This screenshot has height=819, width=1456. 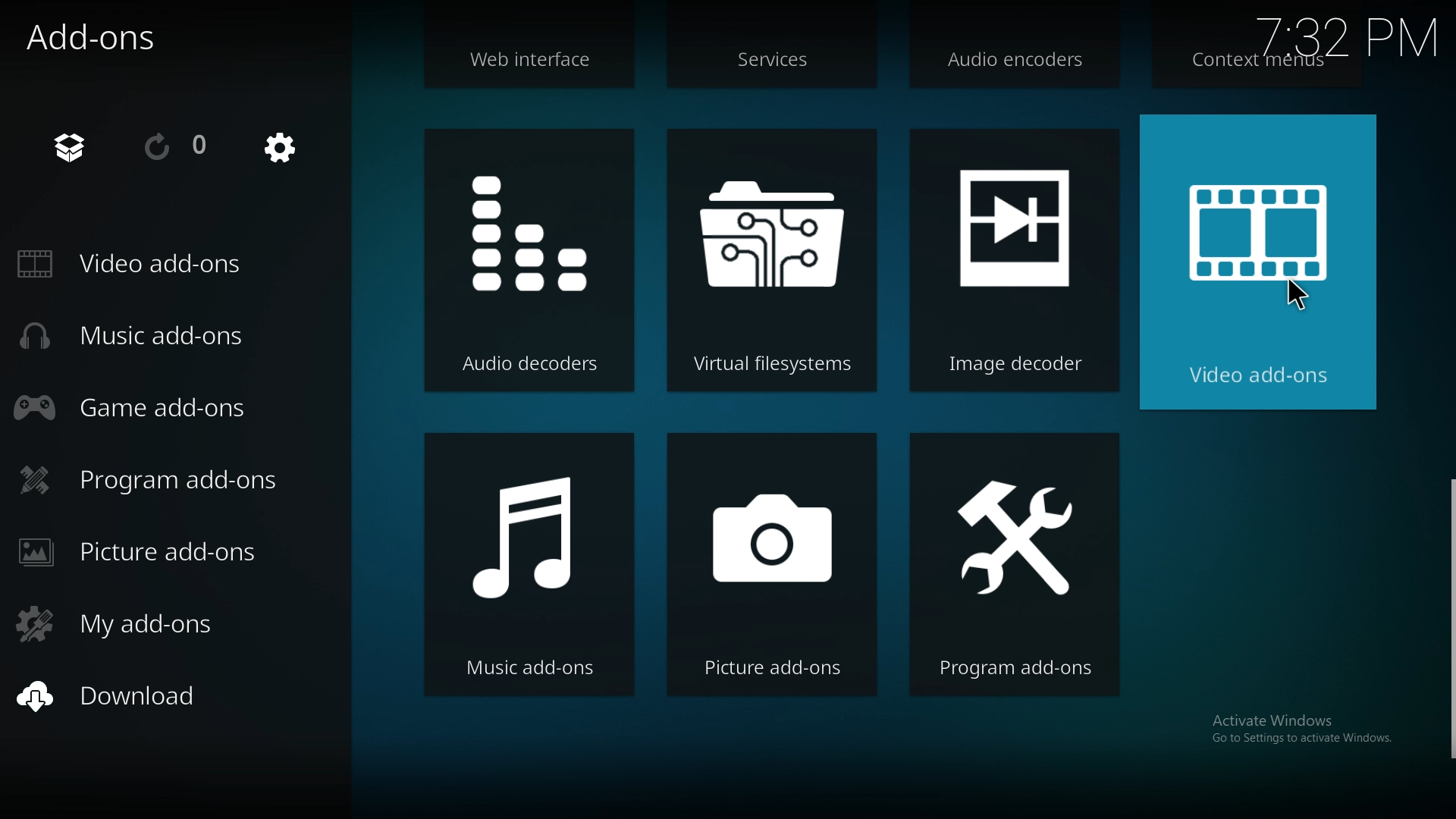 I want to click on web interface, so click(x=535, y=65).